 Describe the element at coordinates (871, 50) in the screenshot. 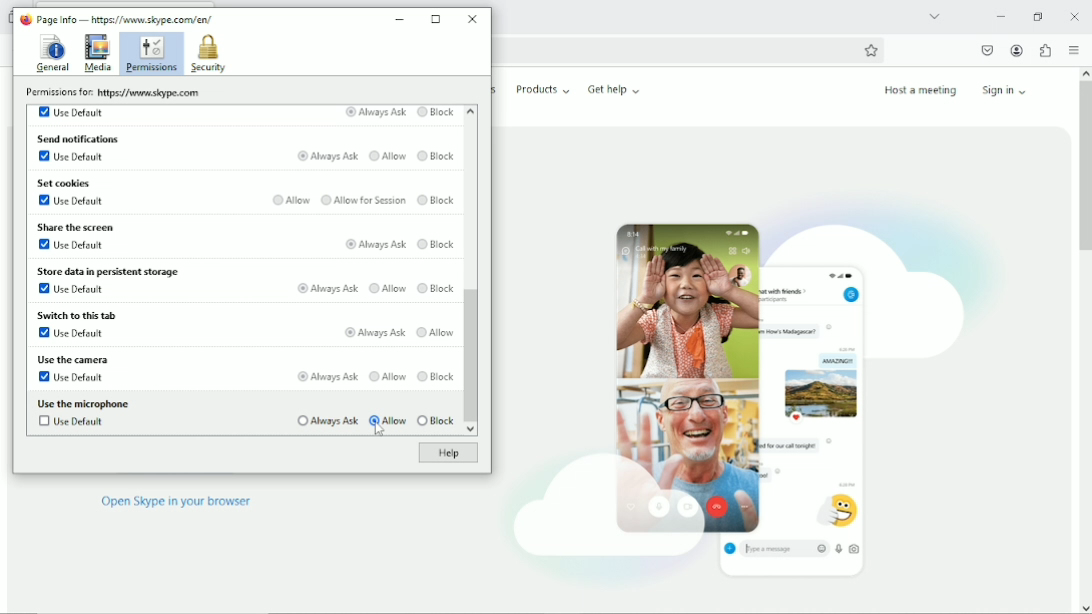

I see `Bookmark this page` at that location.